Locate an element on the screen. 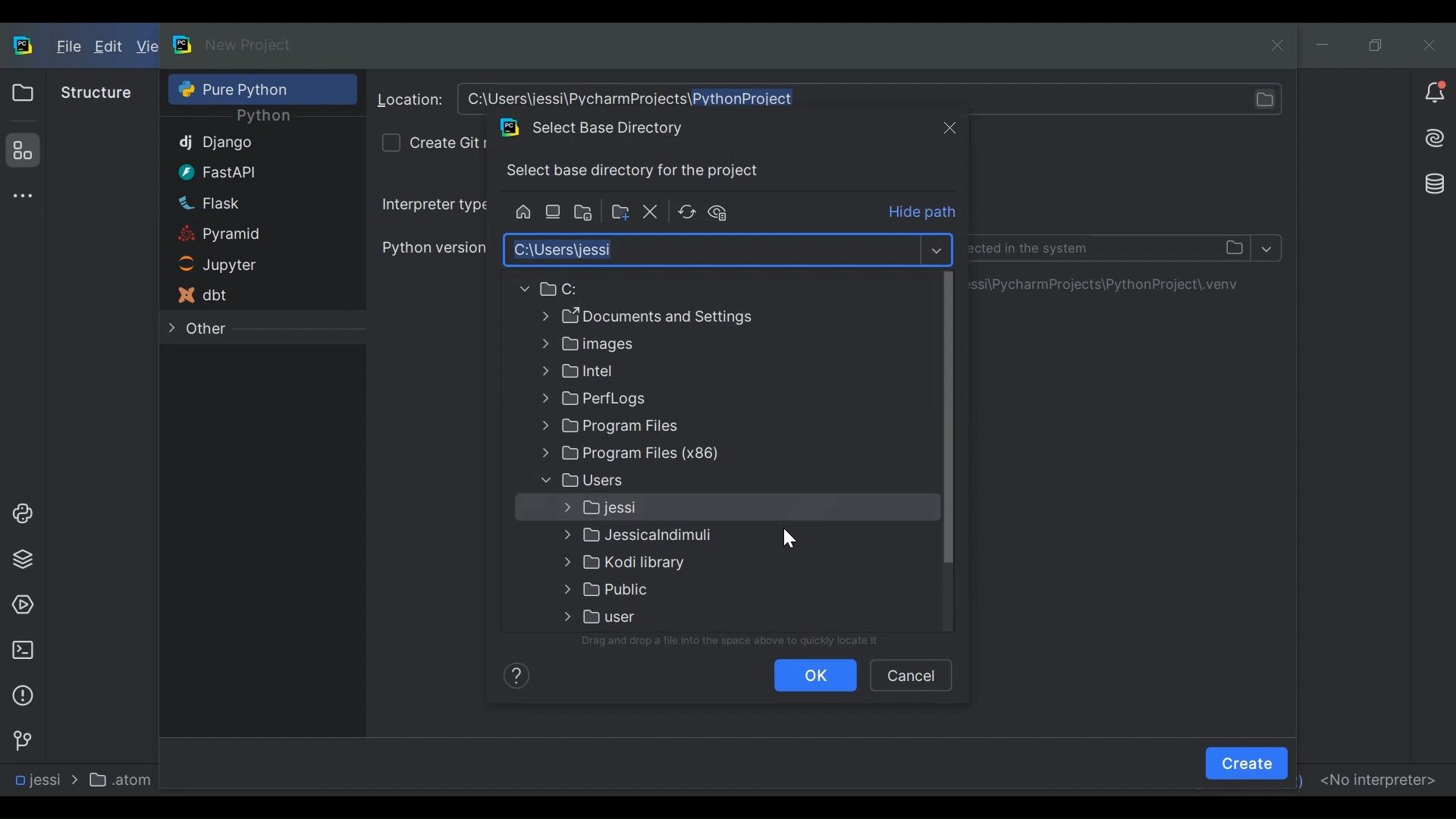 Image resolution: width=1456 pixels, height=819 pixels. File is located at coordinates (67, 48).